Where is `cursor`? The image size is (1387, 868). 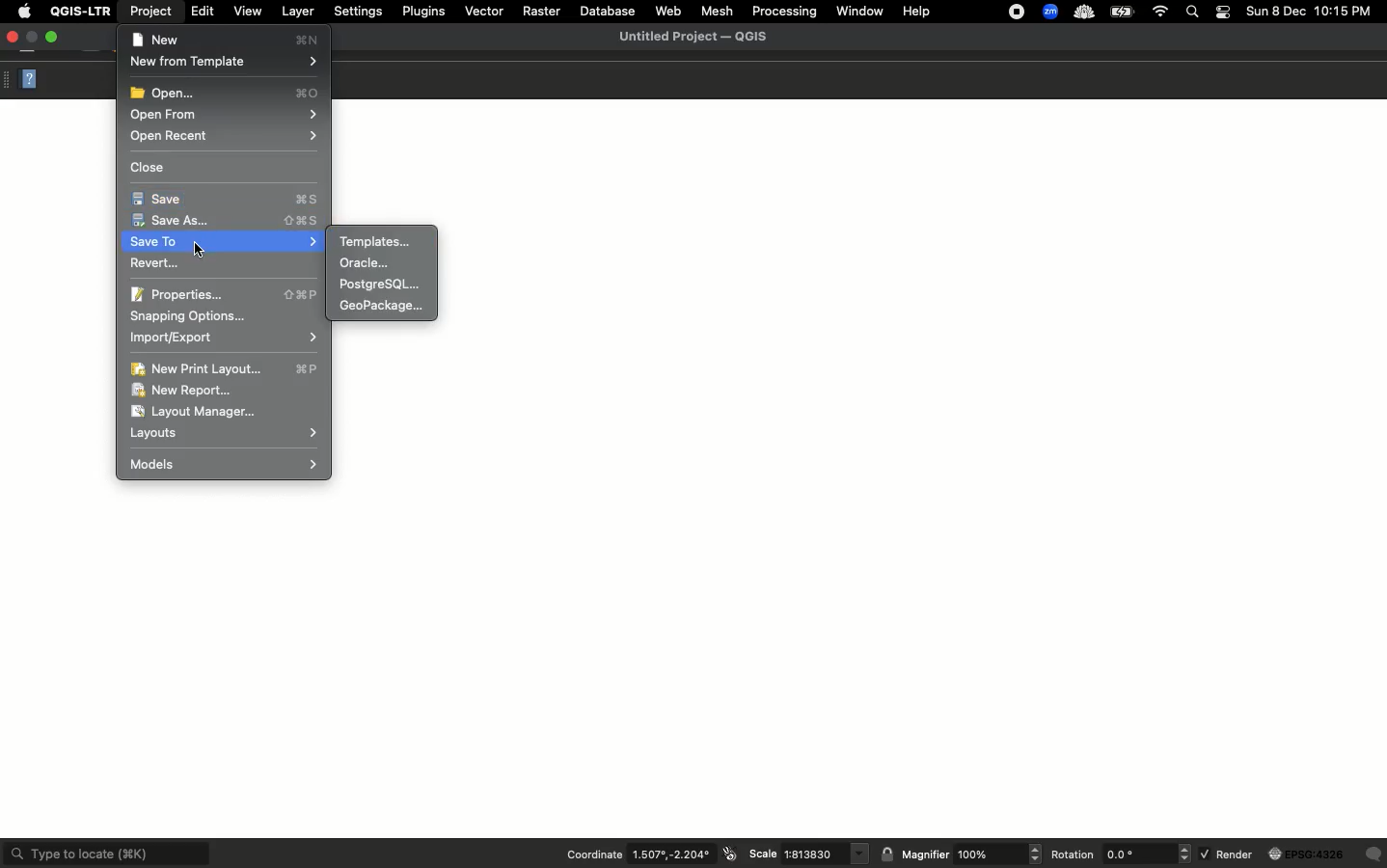 cursor is located at coordinates (203, 249).